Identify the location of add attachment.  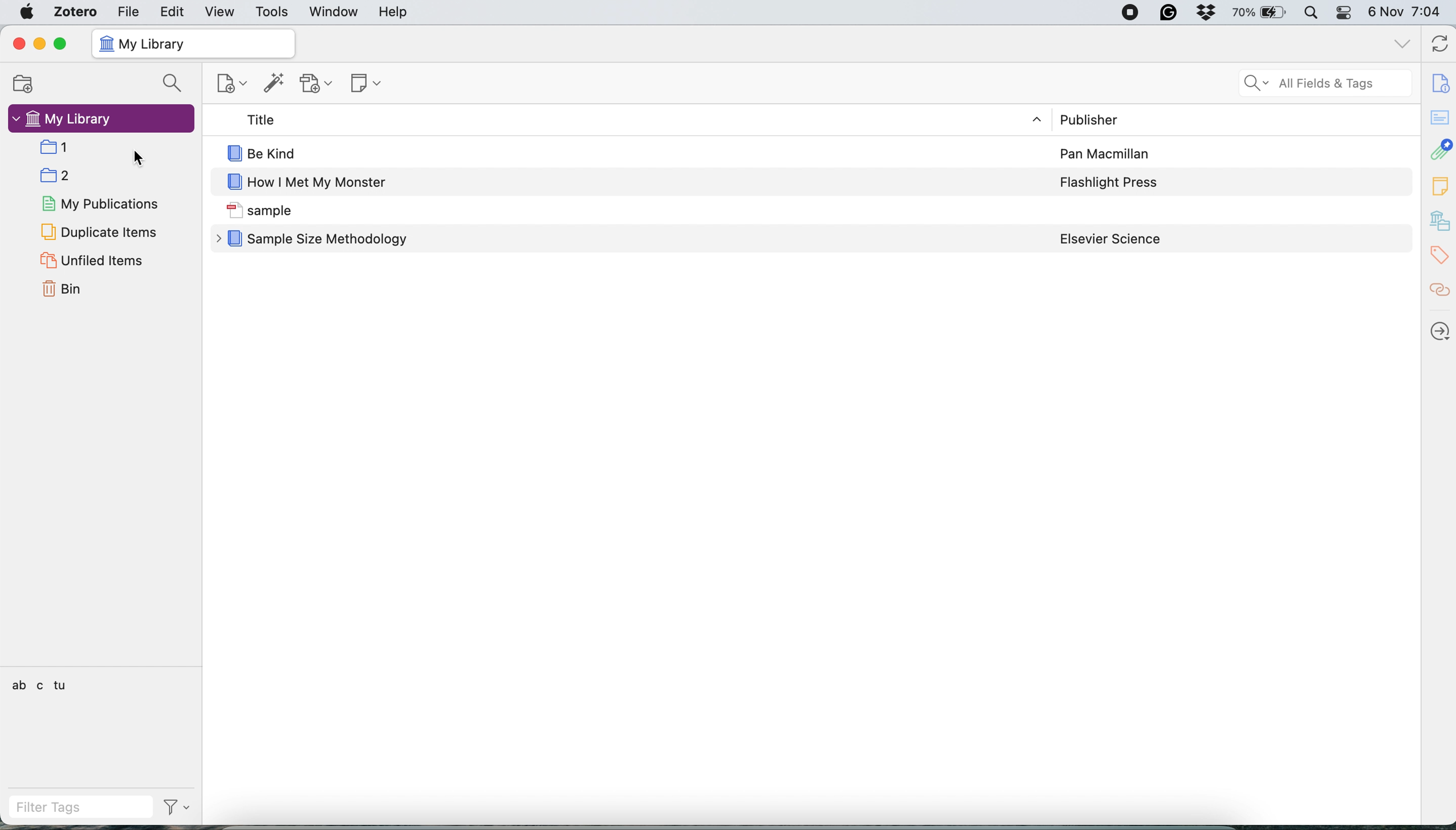
(318, 84).